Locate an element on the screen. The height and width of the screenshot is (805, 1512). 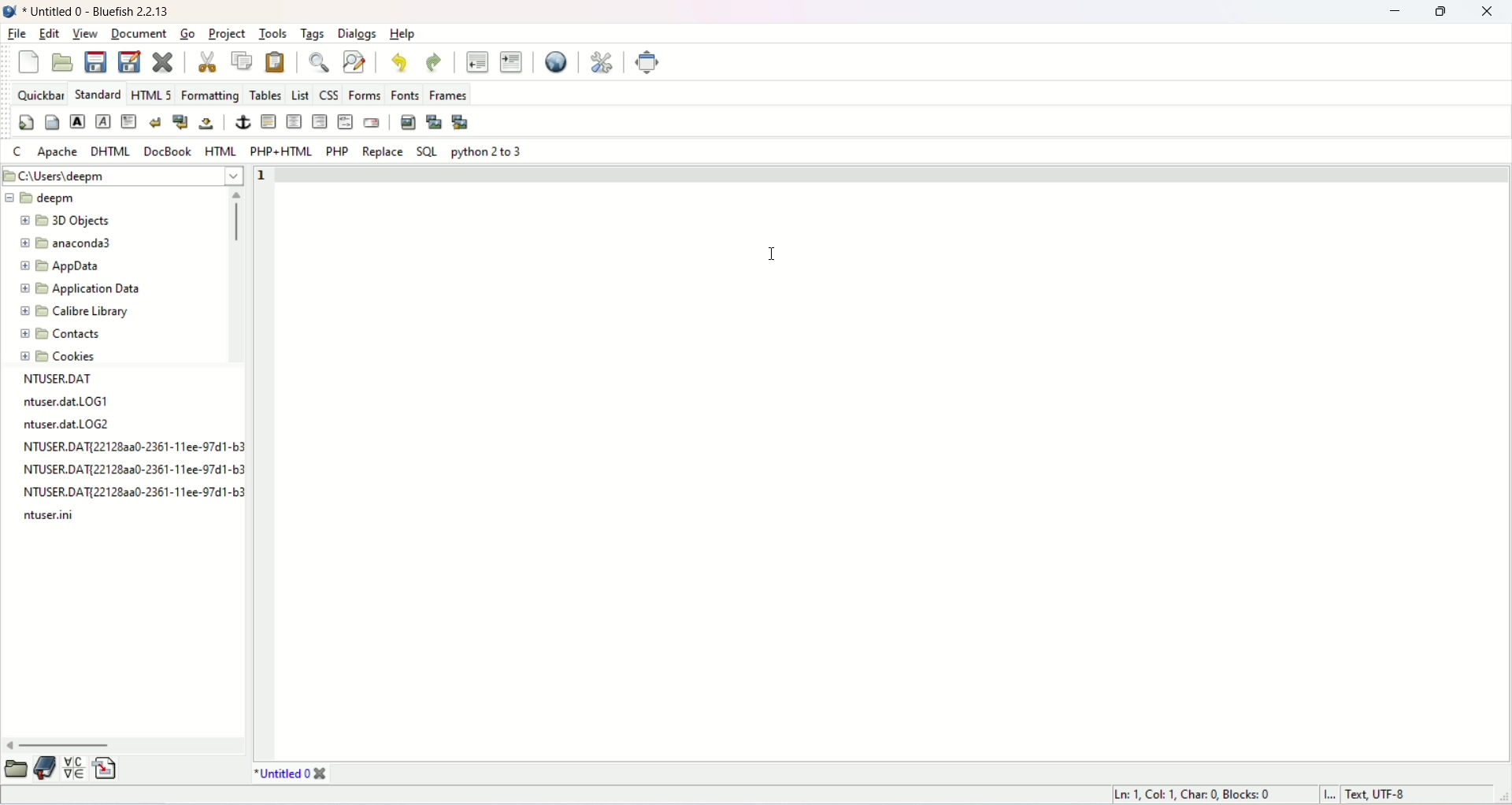
save file as is located at coordinates (128, 64).